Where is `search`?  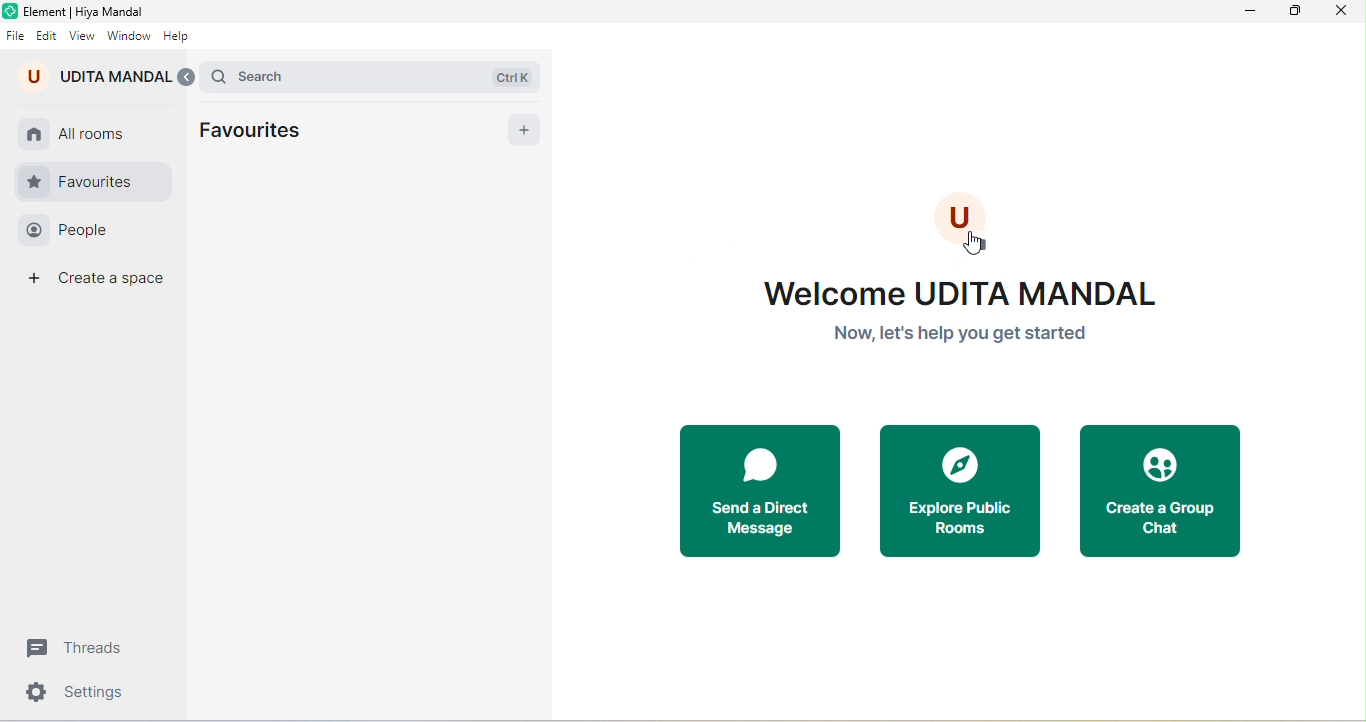
search is located at coordinates (376, 75).